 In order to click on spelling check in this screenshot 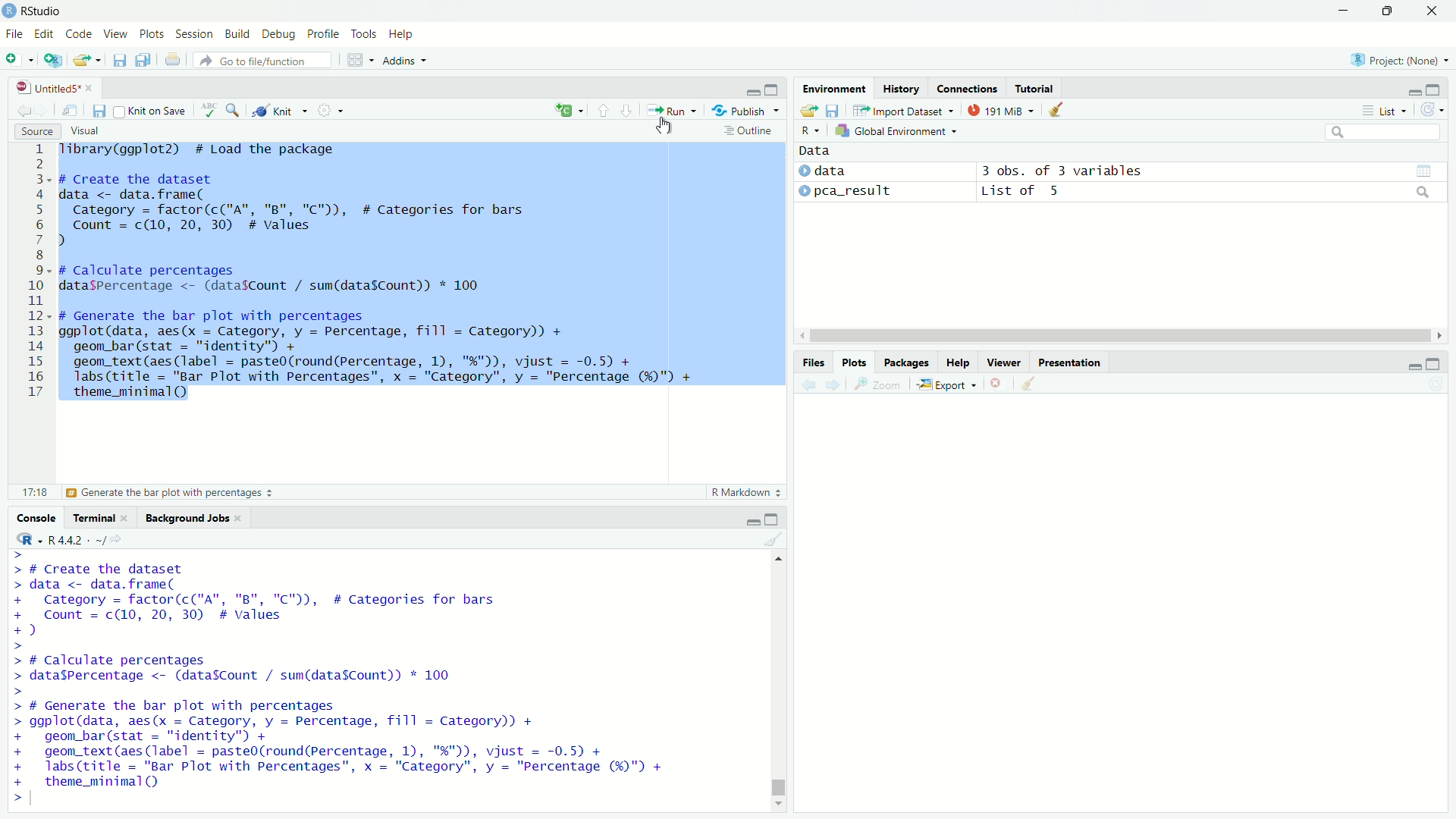, I will do `click(210, 110)`.